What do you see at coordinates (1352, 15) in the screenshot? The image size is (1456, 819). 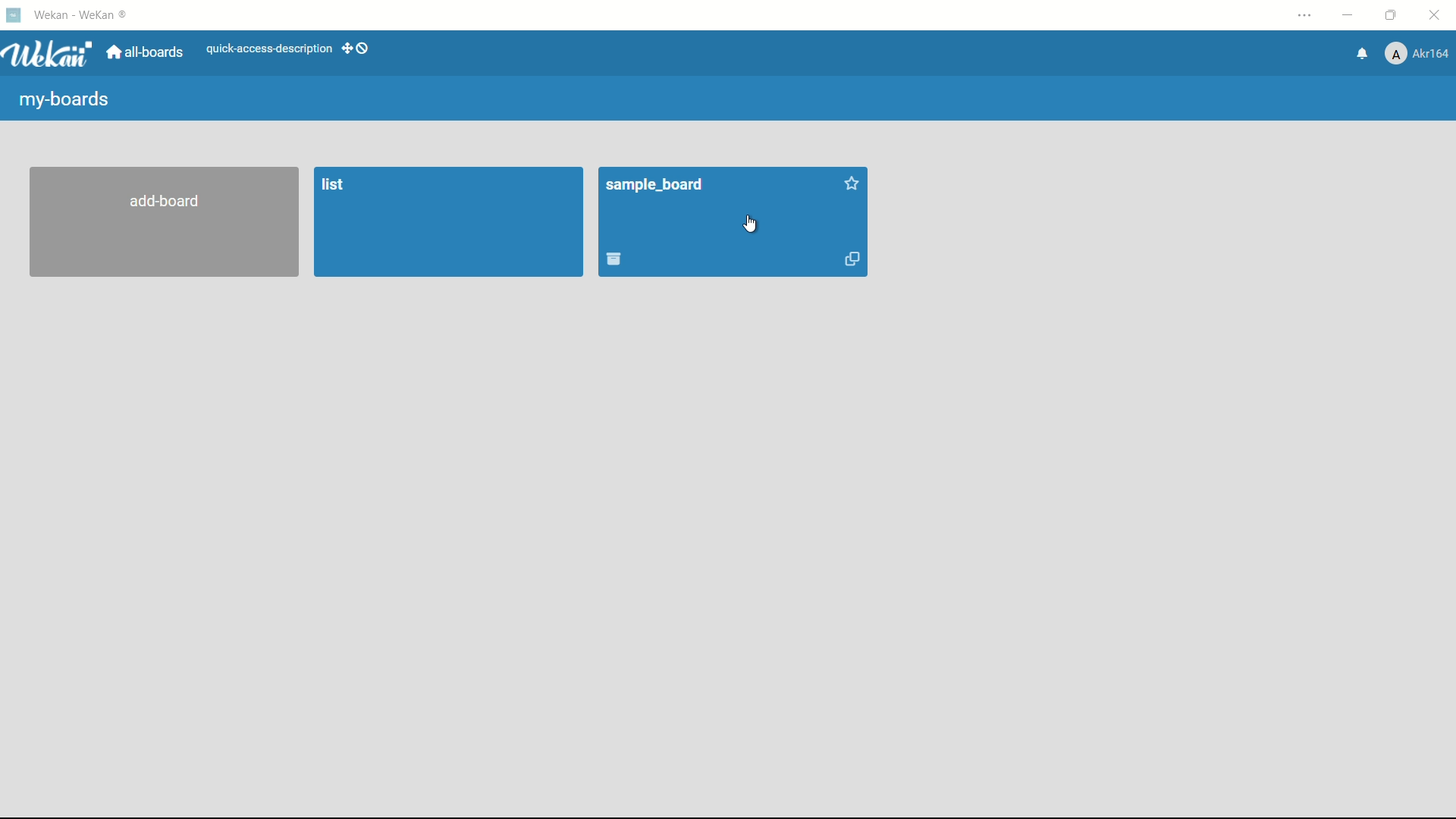 I see `minimize` at bounding box center [1352, 15].